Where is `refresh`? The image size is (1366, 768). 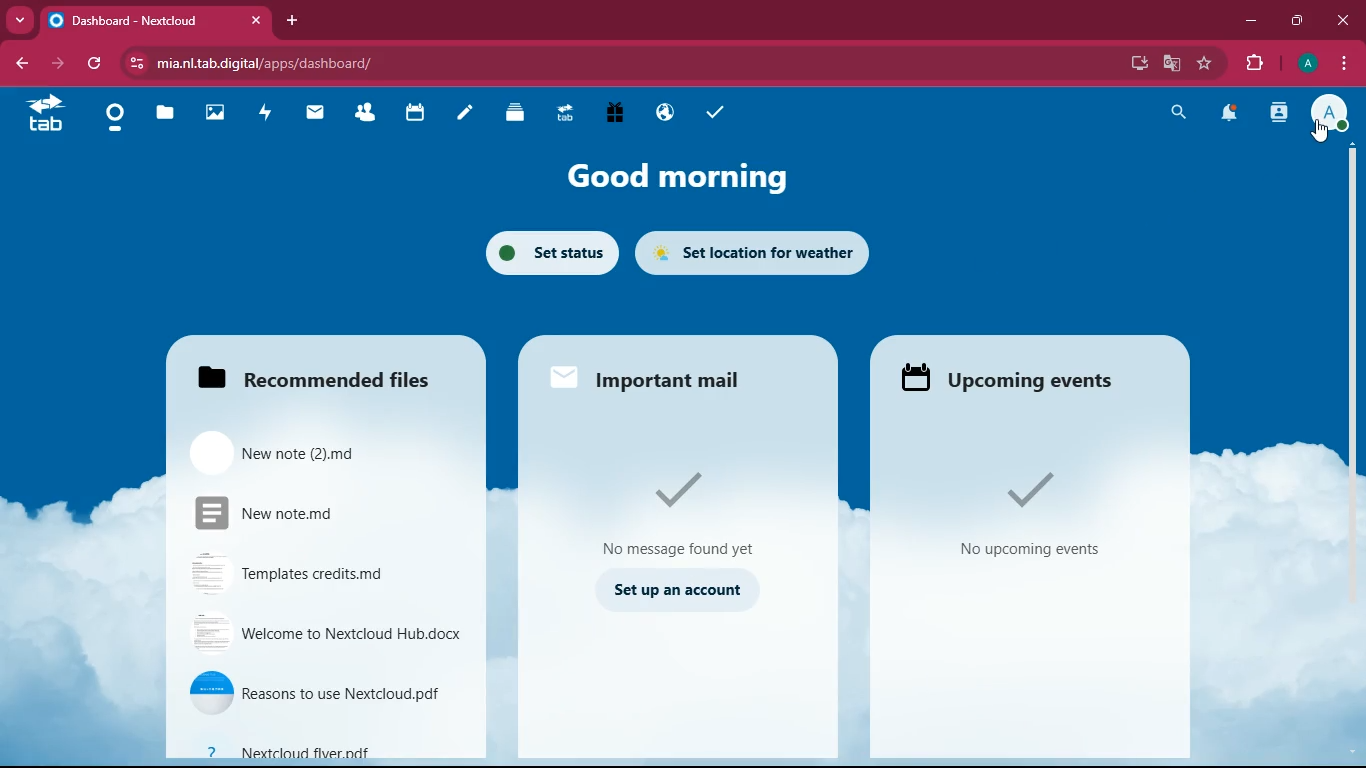 refresh is located at coordinates (96, 64).